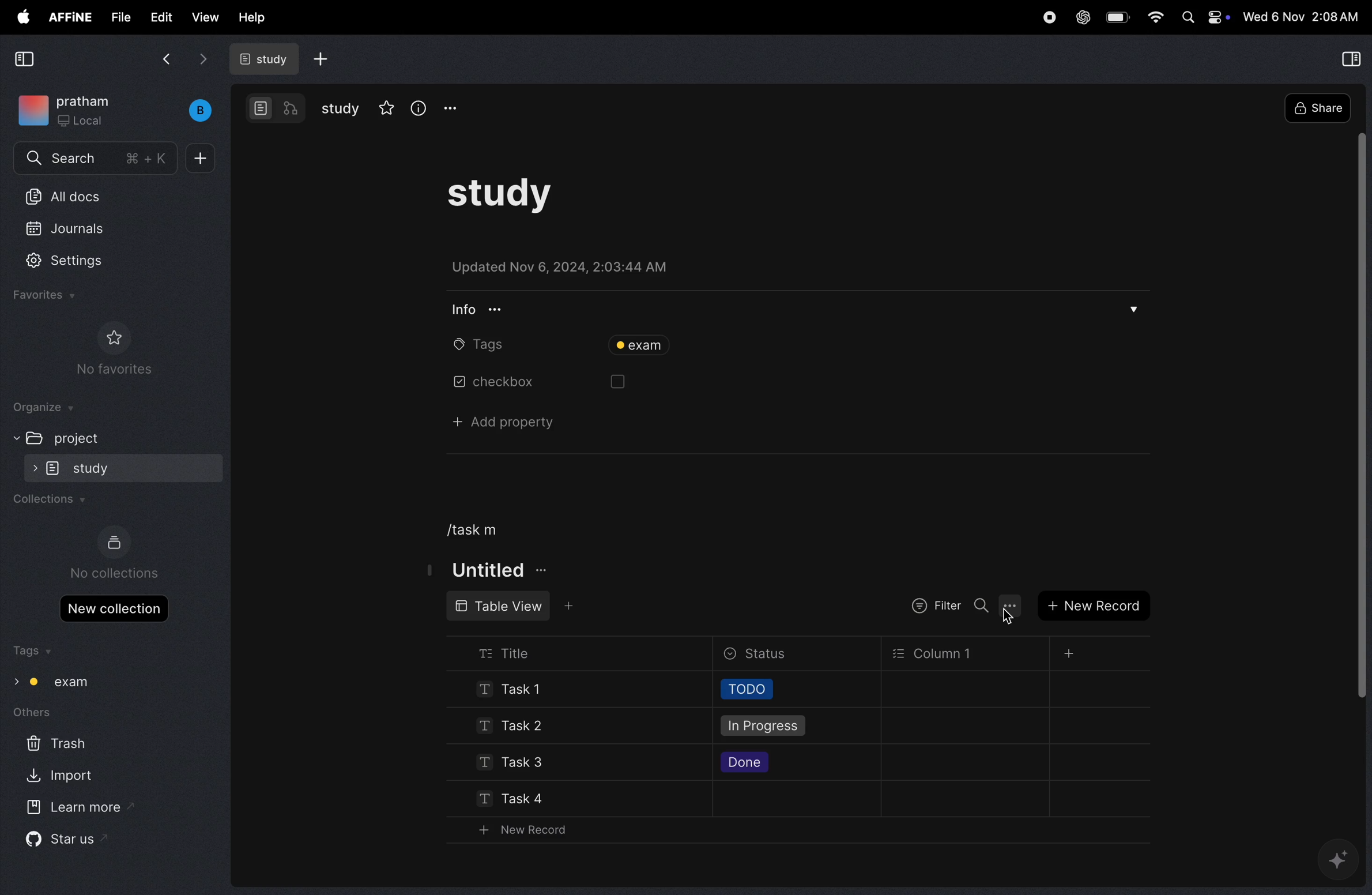  What do you see at coordinates (1069, 653) in the screenshot?
I see `add` at bounding box center [1069, 653].